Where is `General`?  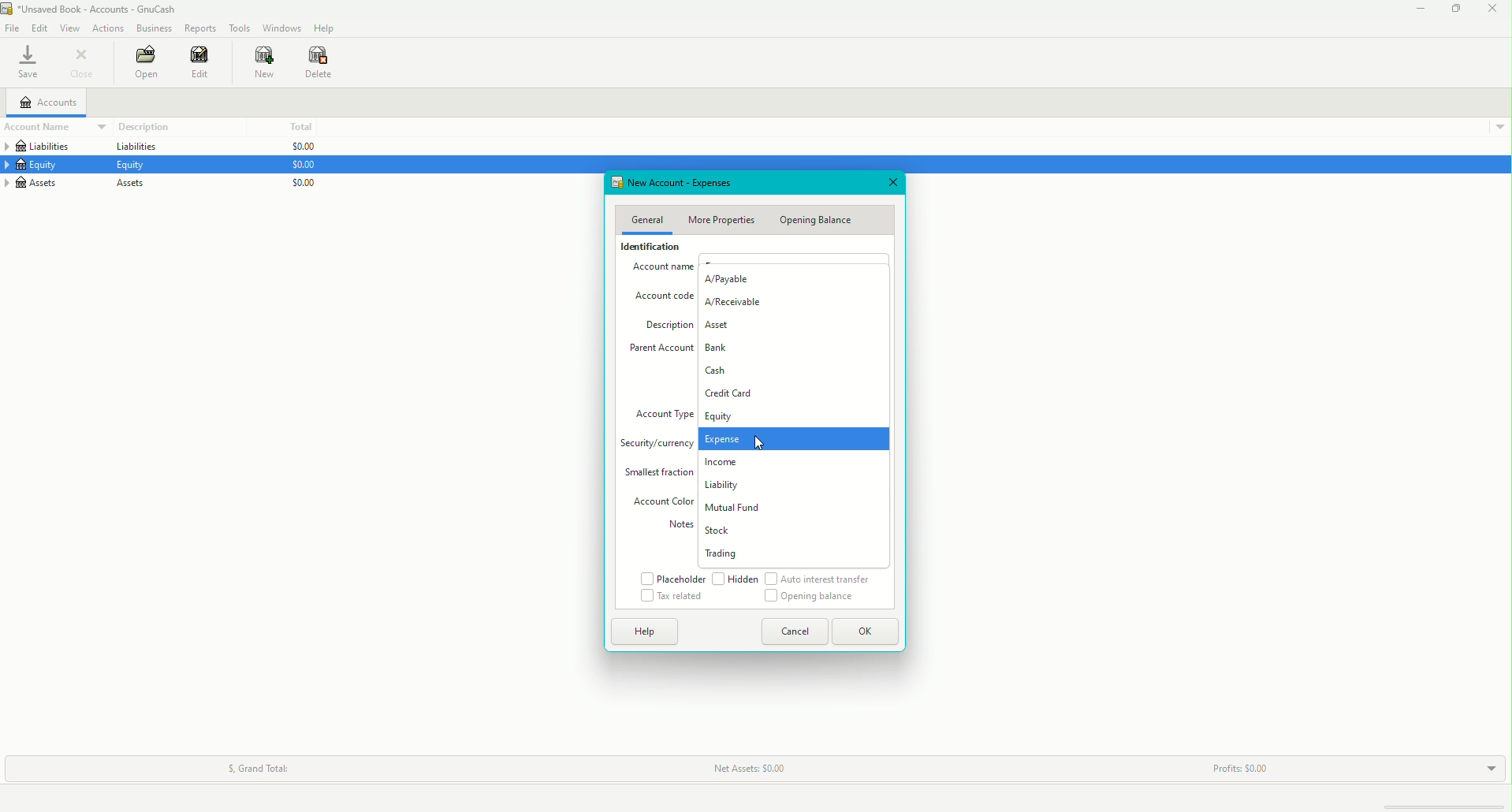 General is located at coordinates (647, 220).